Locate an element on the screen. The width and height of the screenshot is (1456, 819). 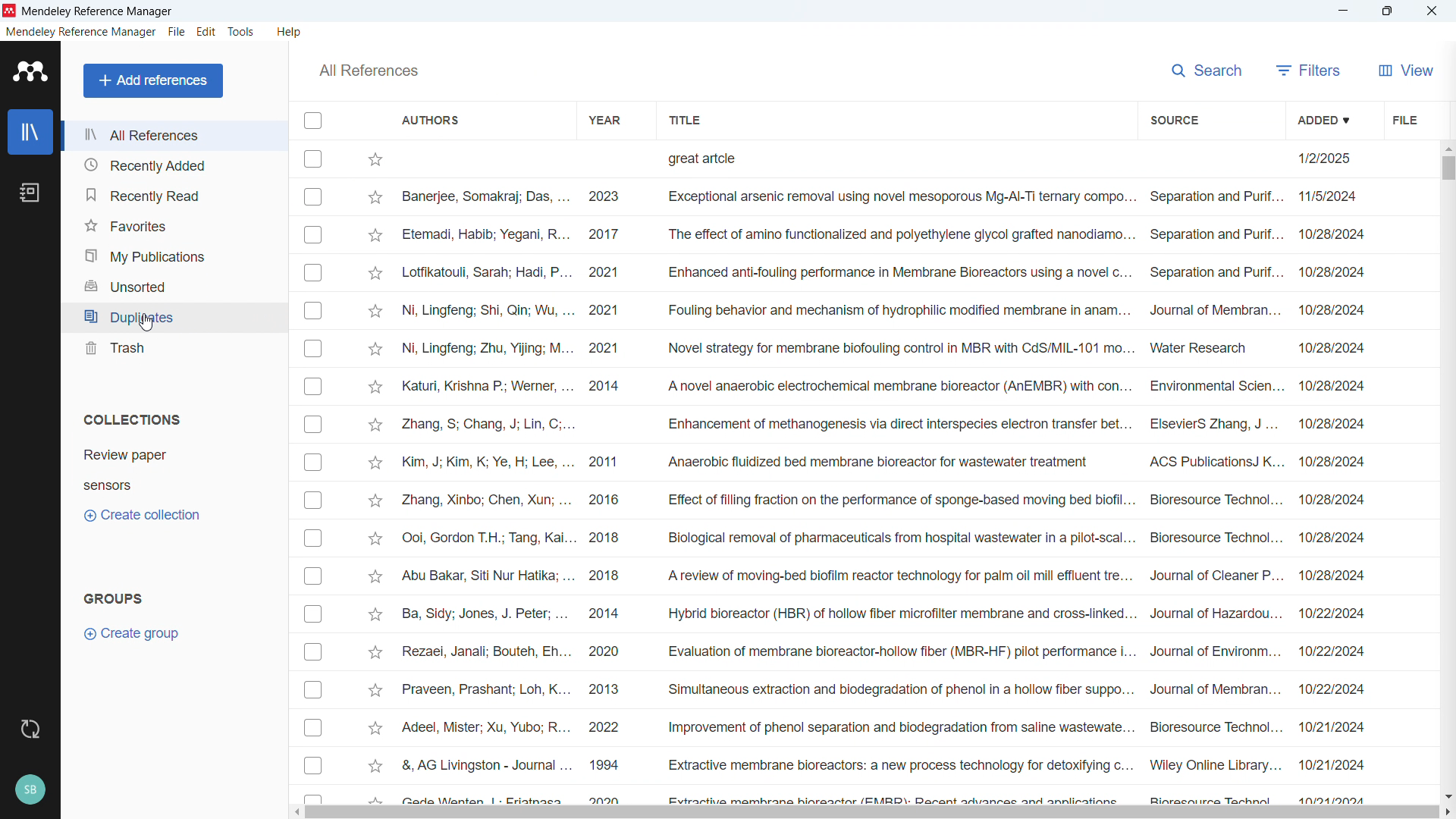
Sort by date added  is located at coordinates (1323, 120).